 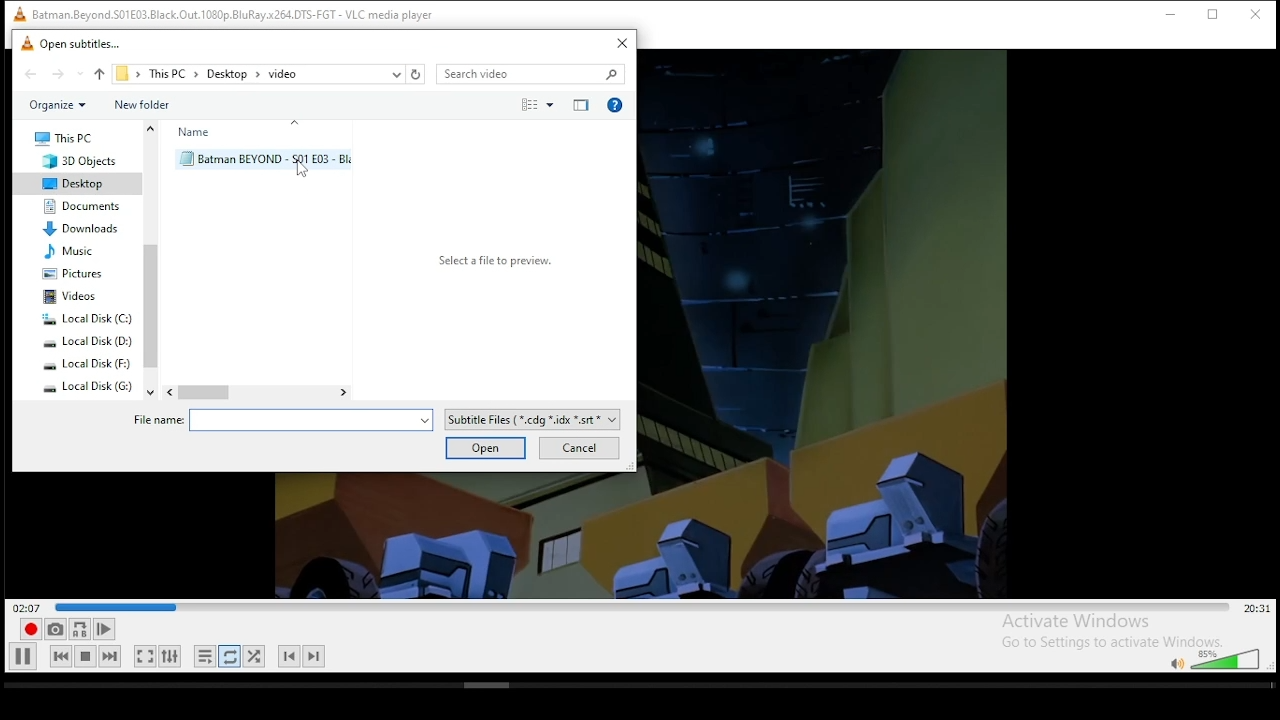 What do you see at coordinates (856, 318) in the screenshot?
I see `video preview` at bounding box center [856, 318].